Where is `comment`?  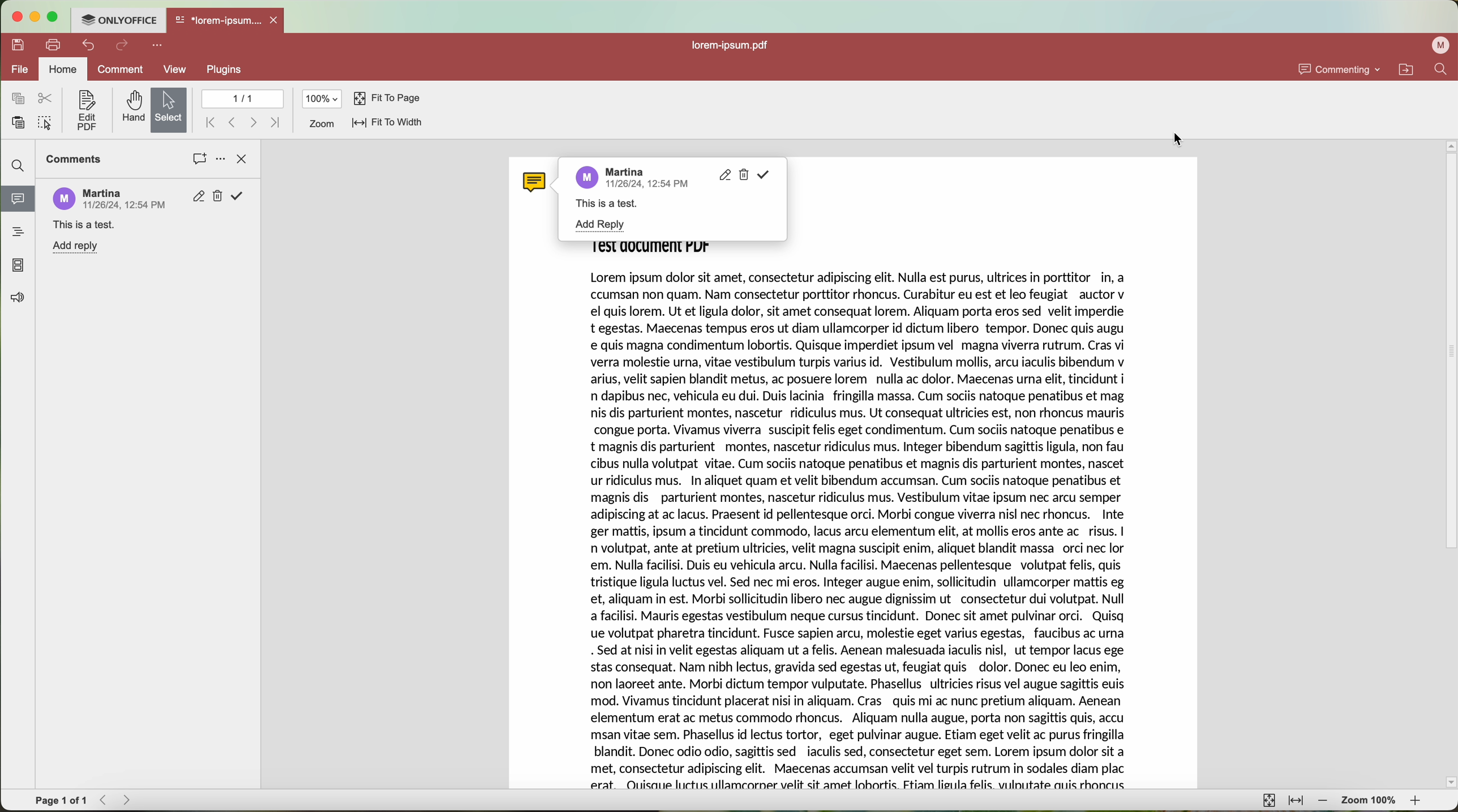 comment is located at coordinates (121, 71).